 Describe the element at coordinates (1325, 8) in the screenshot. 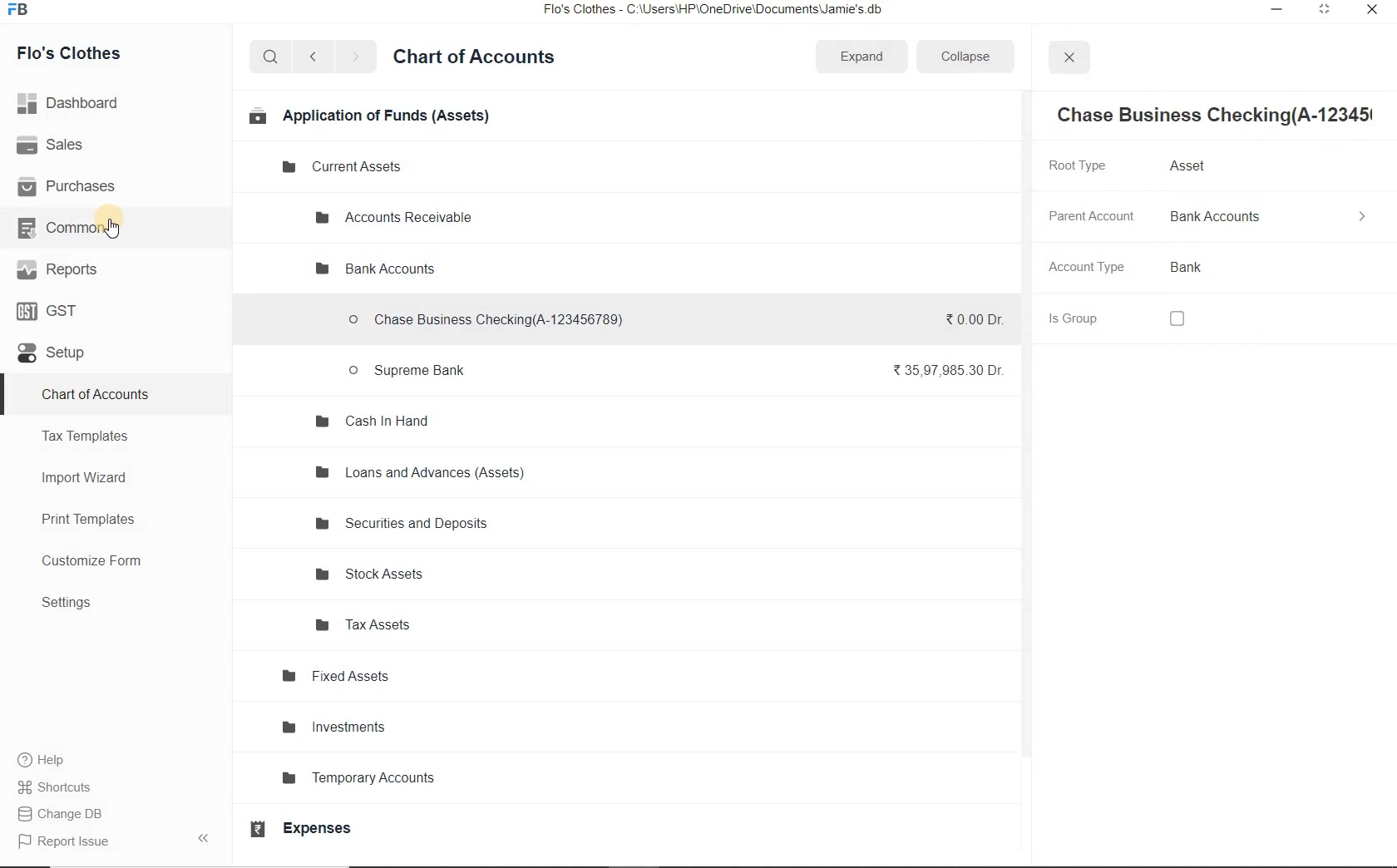

I see `maximize` at that location.